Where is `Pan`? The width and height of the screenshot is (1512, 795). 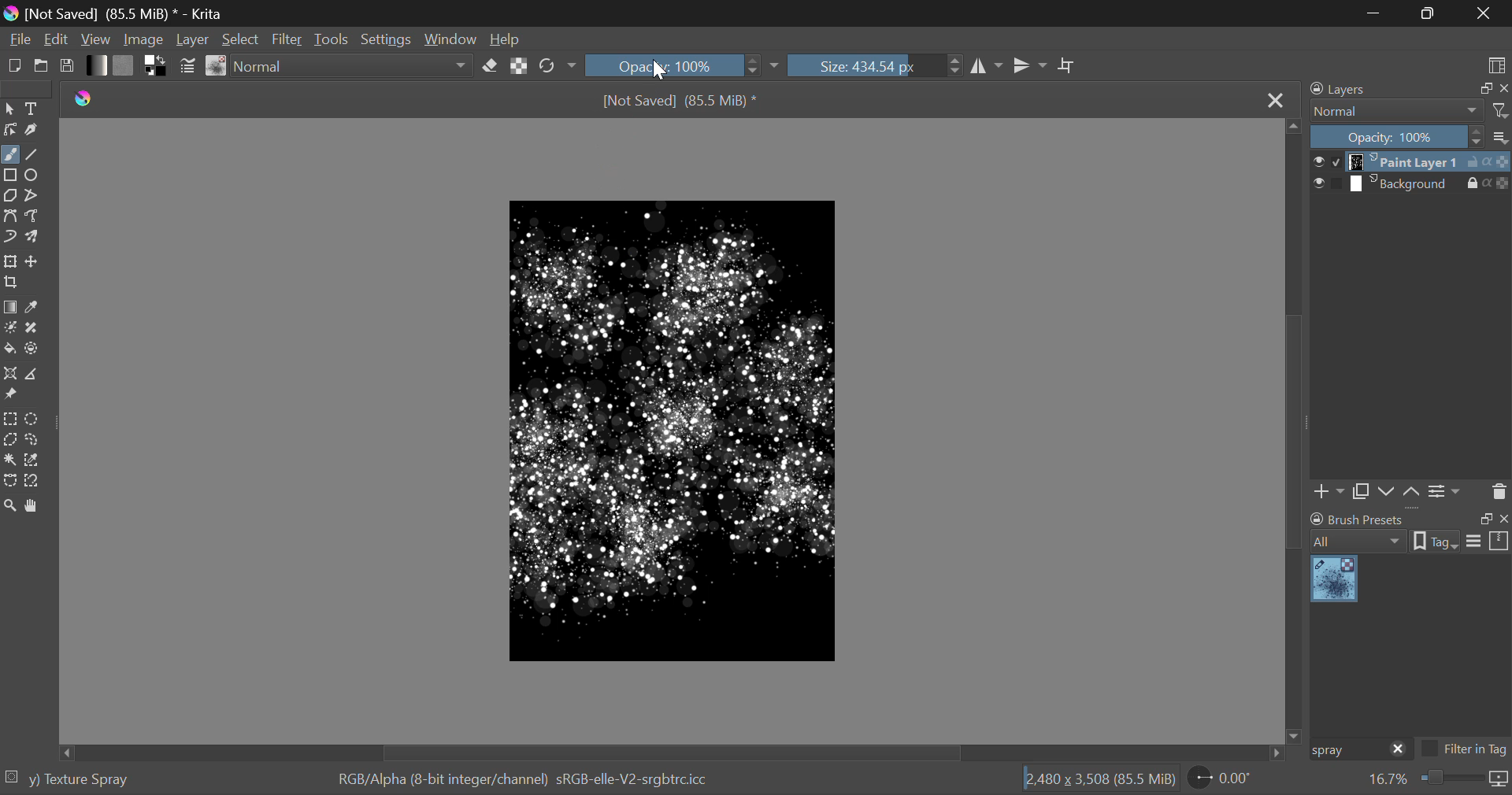 Pan is located at coordinates (35, 507).